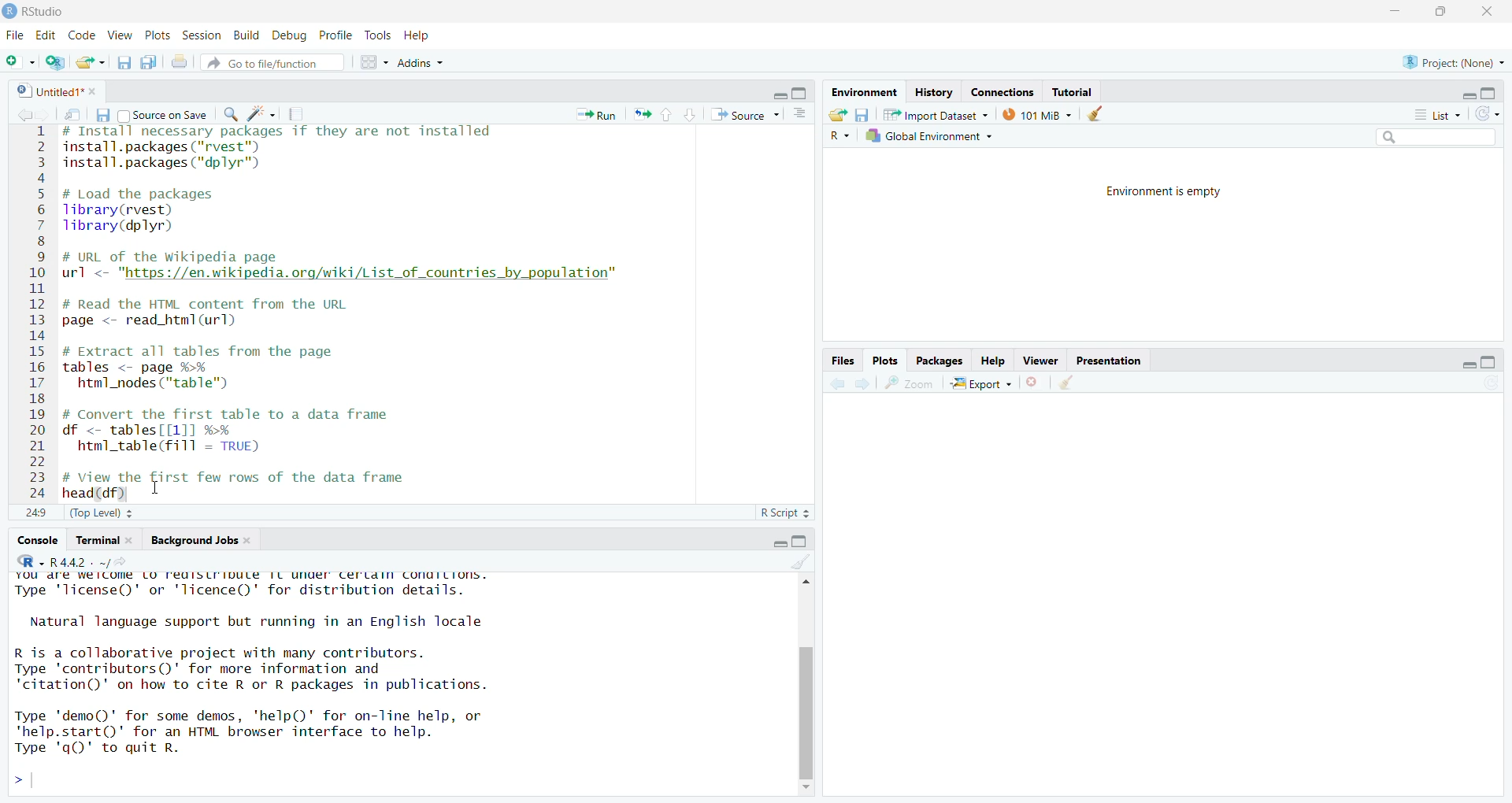 The height and width of the screenshot is (803, 1512). What do you see at coordinates (24, 781) in the screenshot?
I see `start typing` at bounding box center [24, 781].